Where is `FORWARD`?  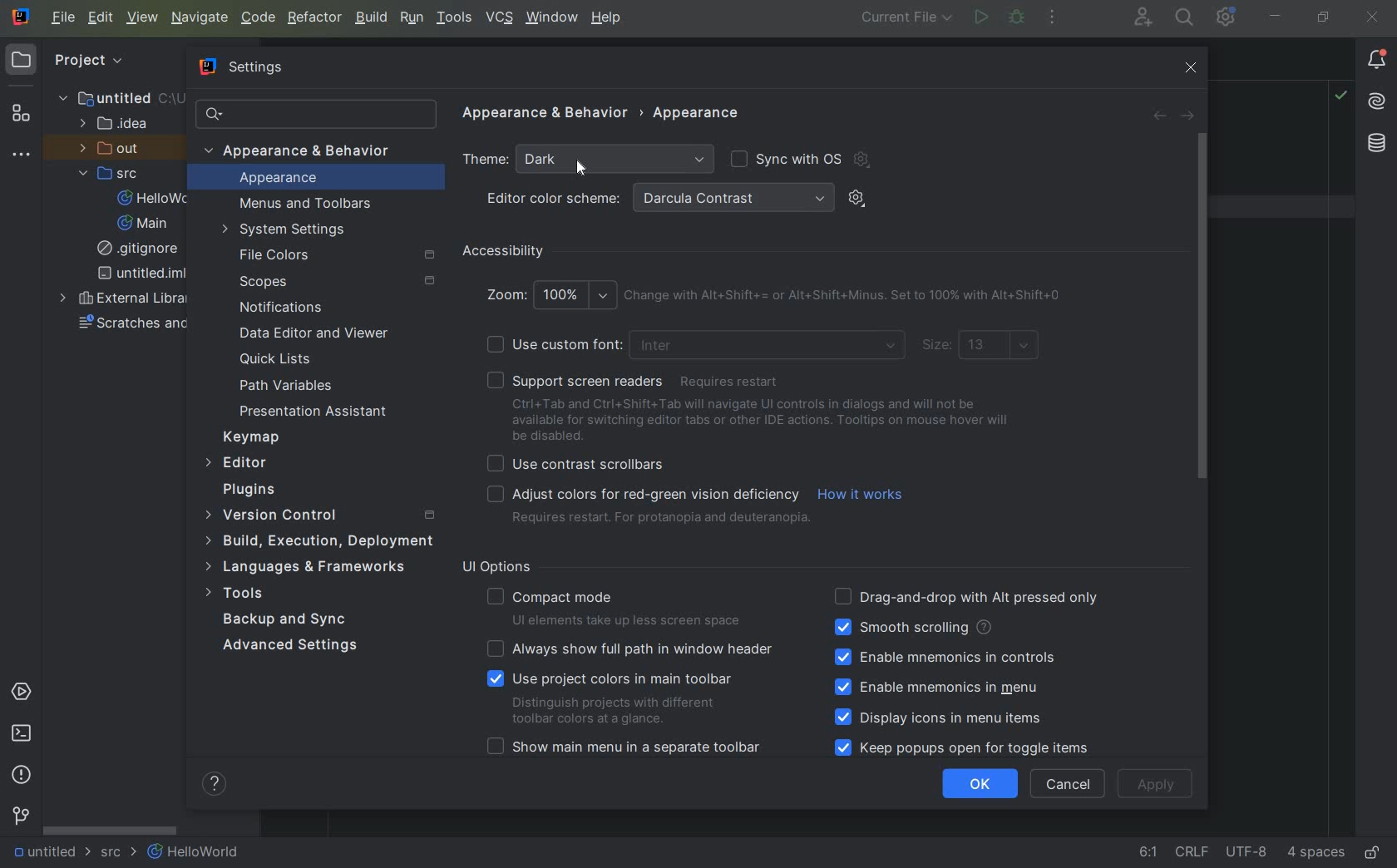
FORWARD is located at coordinates (1187, 116).